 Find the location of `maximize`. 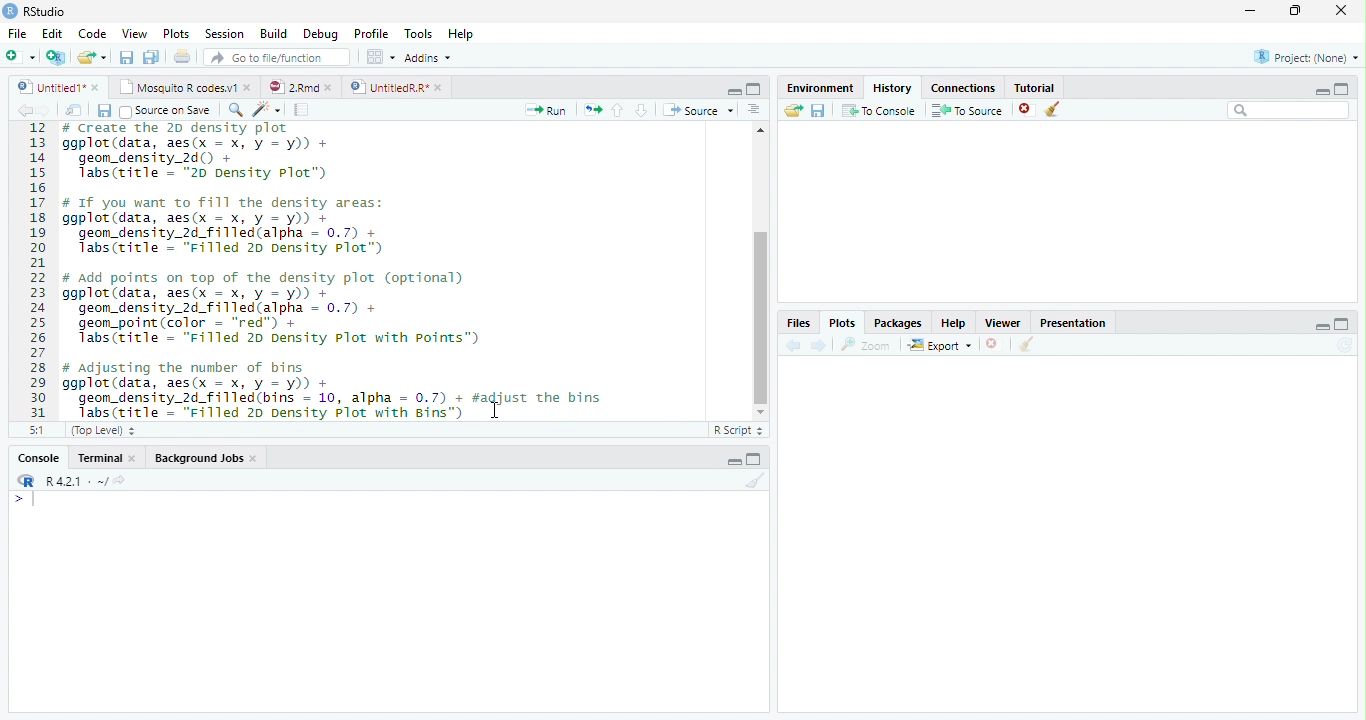

maximize is located at coordinates (756, 459).